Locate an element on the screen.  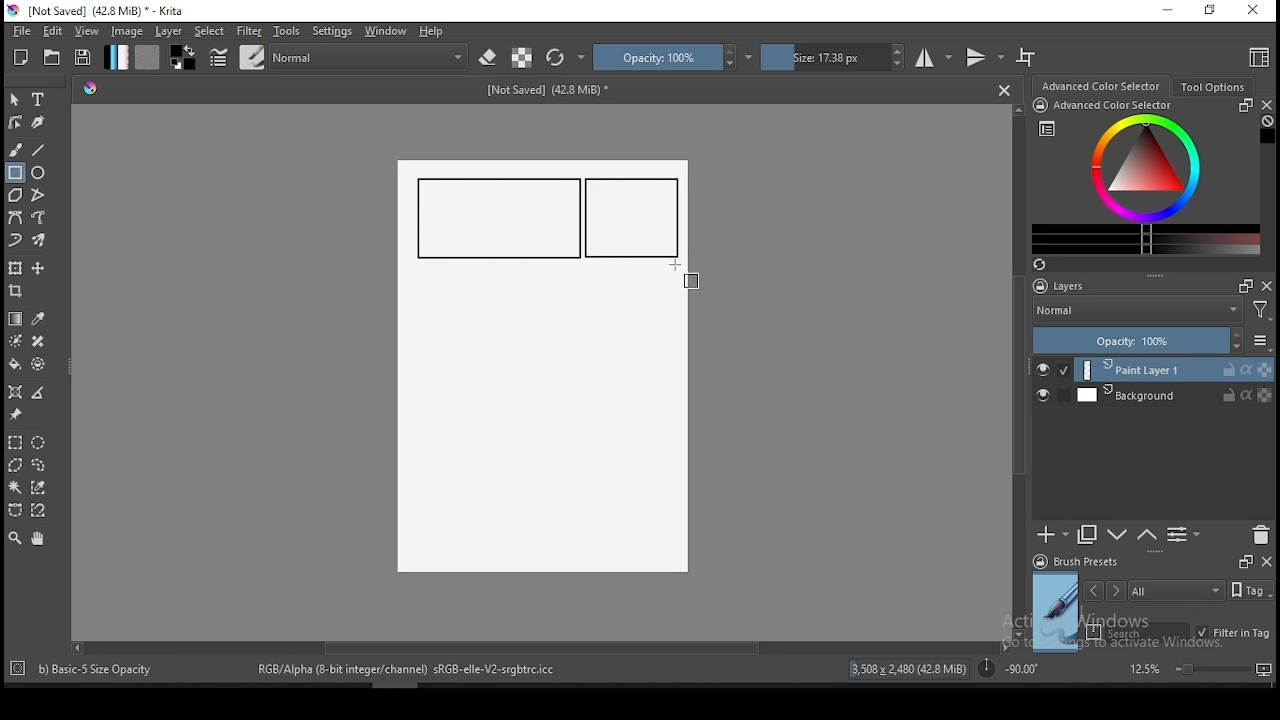
Filter is located at coordinates (1261, 313).